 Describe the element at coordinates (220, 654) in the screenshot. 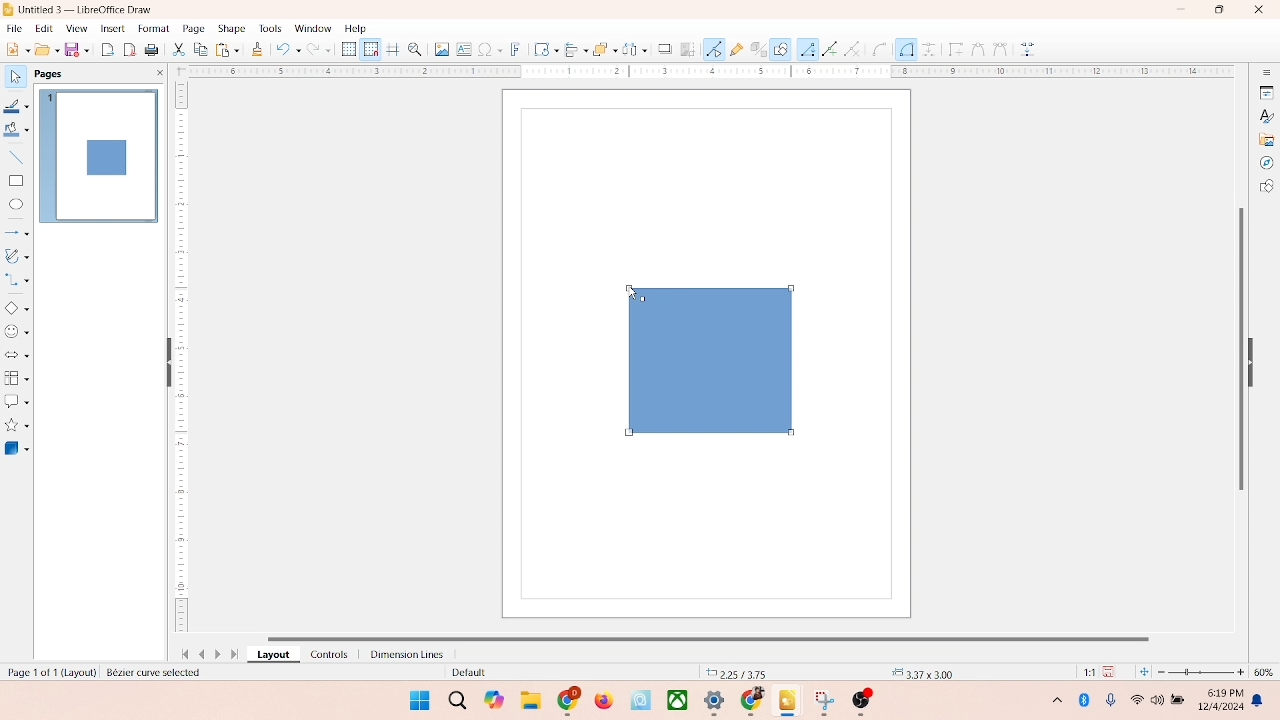

I see `next page` at that location.